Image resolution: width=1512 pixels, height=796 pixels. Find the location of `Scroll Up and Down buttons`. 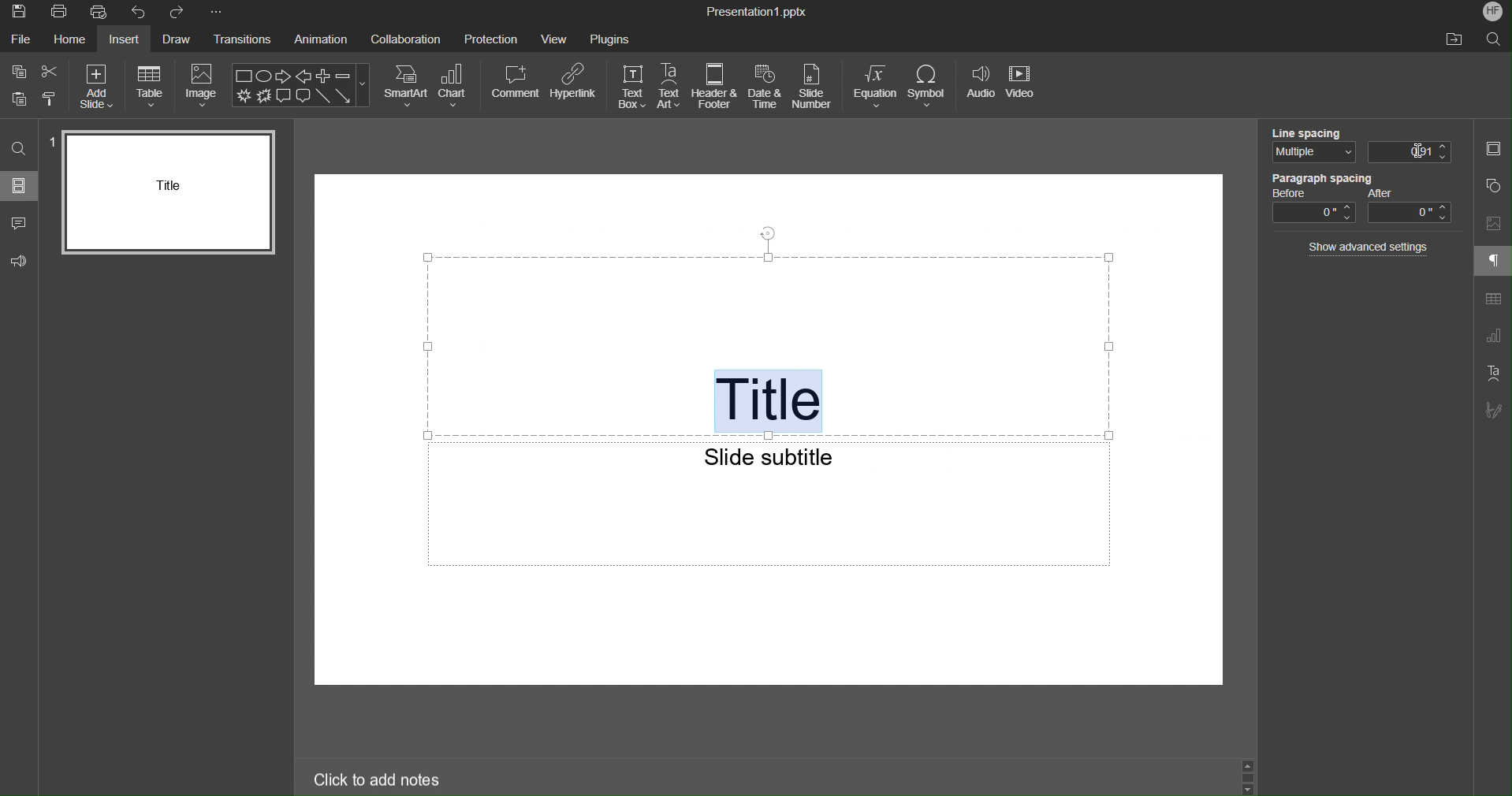

Scroll Up and Down buttons is located at coordinates (1247, 777).